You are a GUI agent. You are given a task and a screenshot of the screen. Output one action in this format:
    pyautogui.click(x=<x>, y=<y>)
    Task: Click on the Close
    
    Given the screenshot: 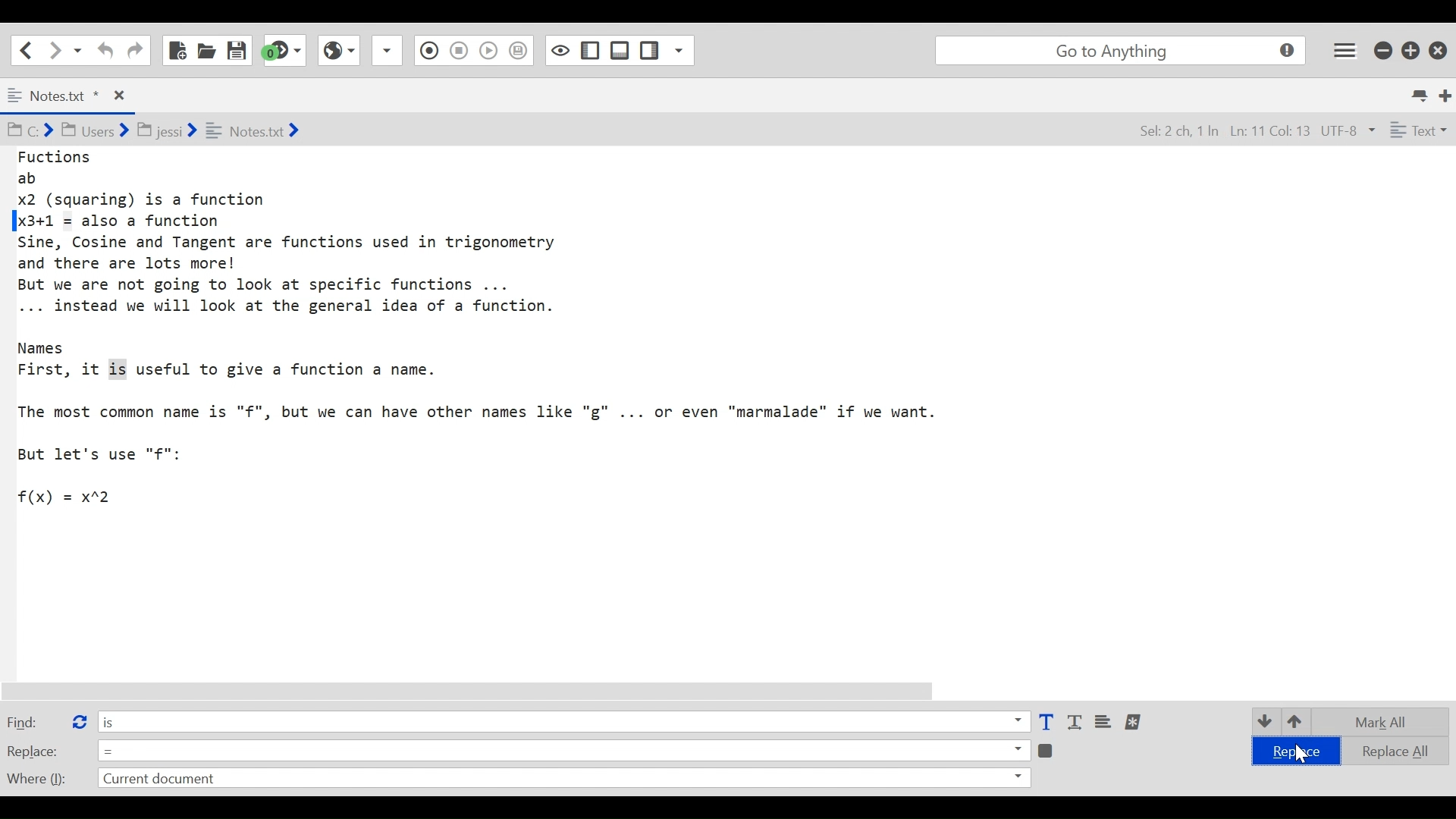 What is the action you would take?
    pyautogui.click(x=1440, y=47)
    